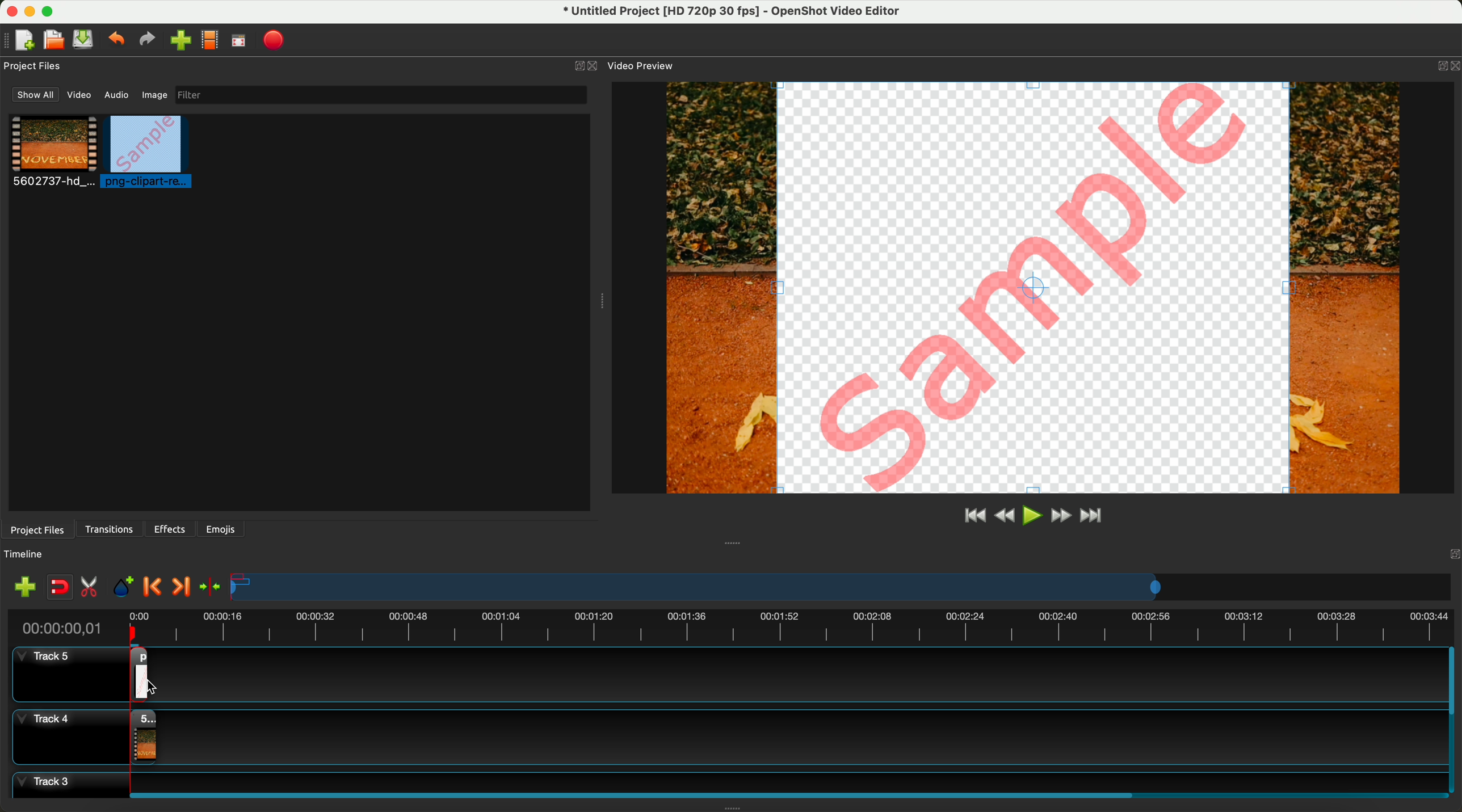  I want to click on center the timeline on the playhead, so click(209, 586).